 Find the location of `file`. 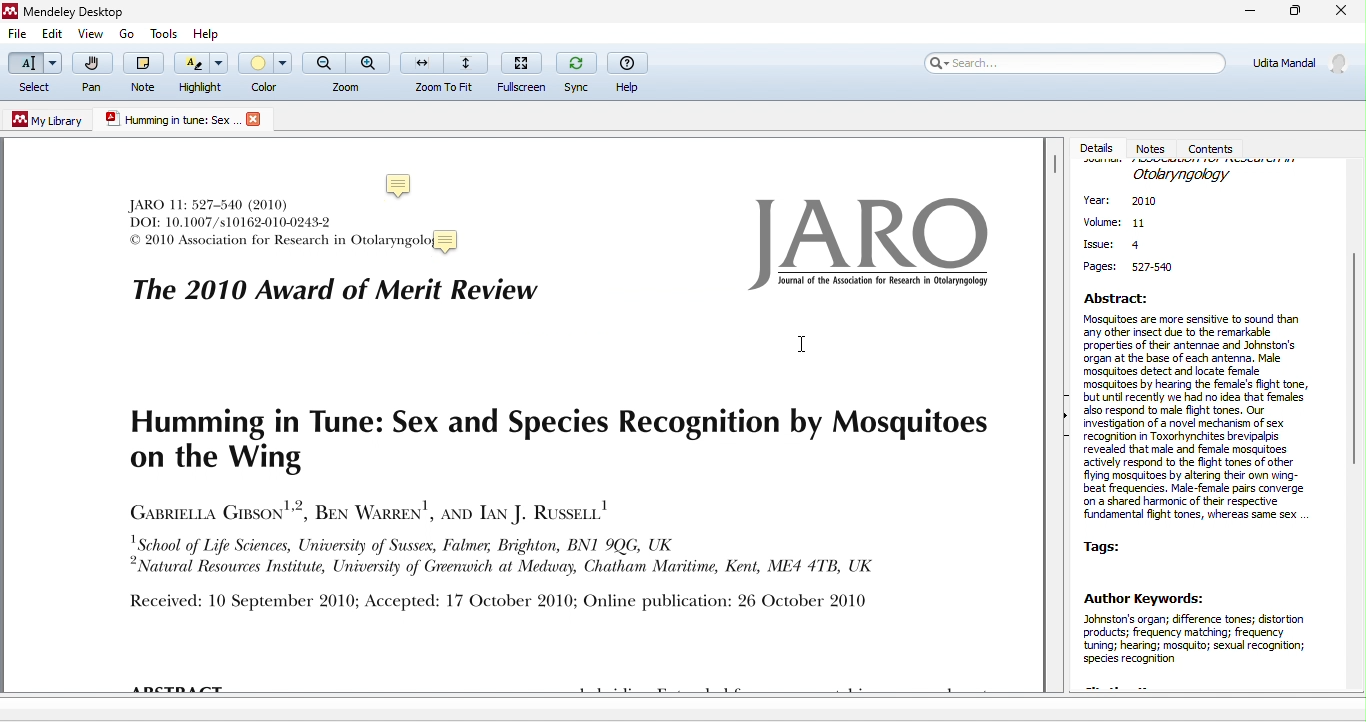

file is located at coordinates (16, 35).